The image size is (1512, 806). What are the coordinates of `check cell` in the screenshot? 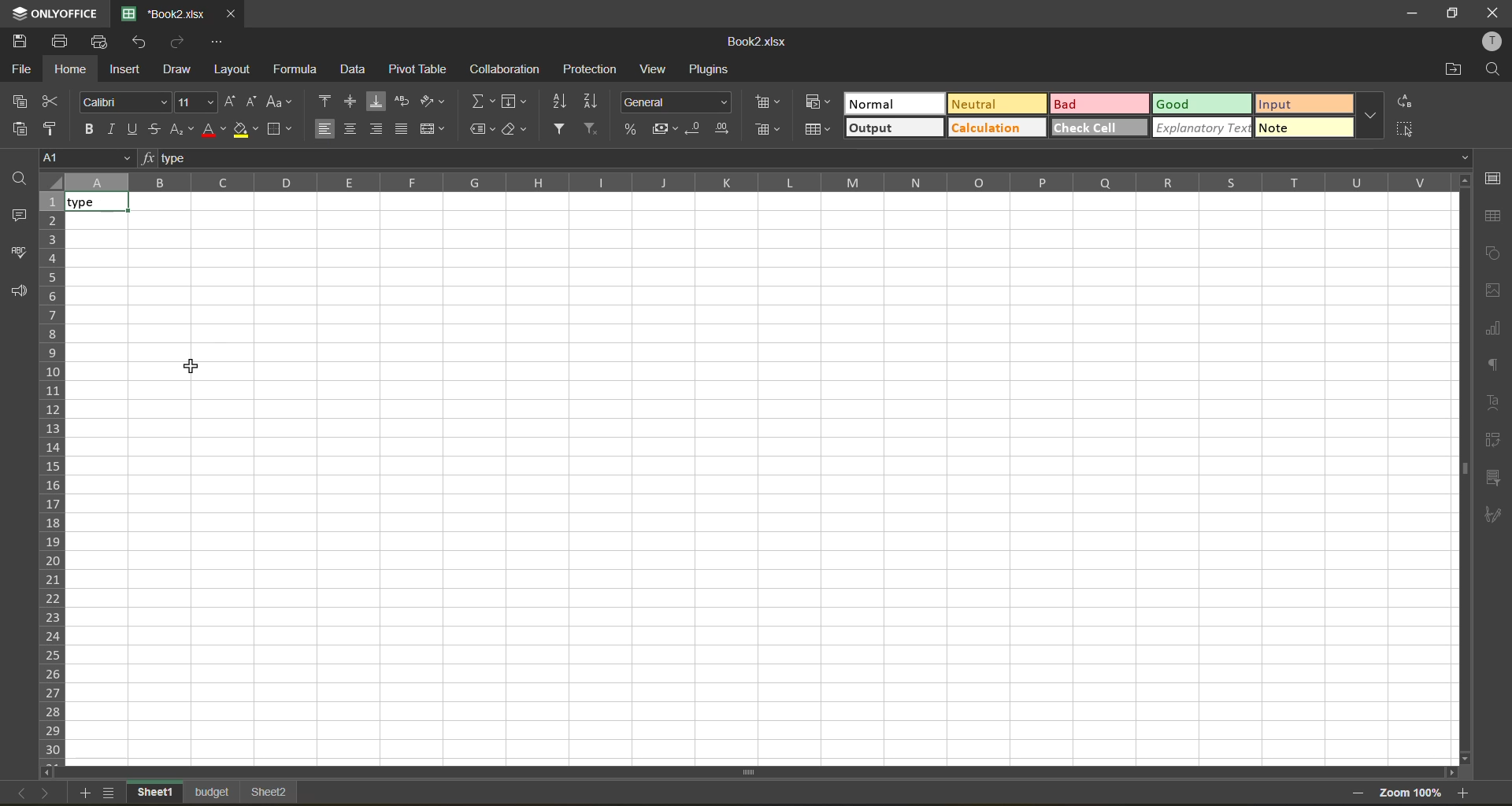 It's located at (1101, 129).